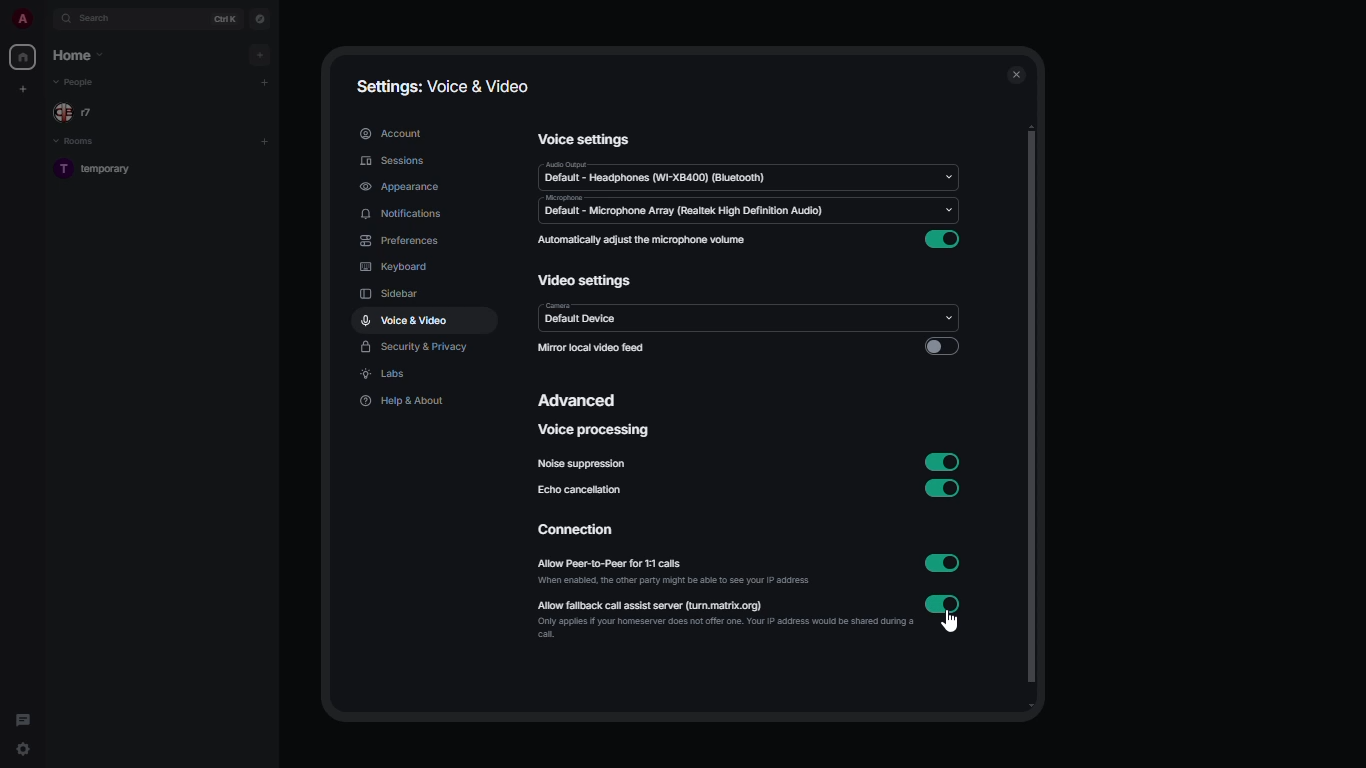  Describe the element at coordinates (392, 293) in the screenshot. I see `sidebar` at that location.